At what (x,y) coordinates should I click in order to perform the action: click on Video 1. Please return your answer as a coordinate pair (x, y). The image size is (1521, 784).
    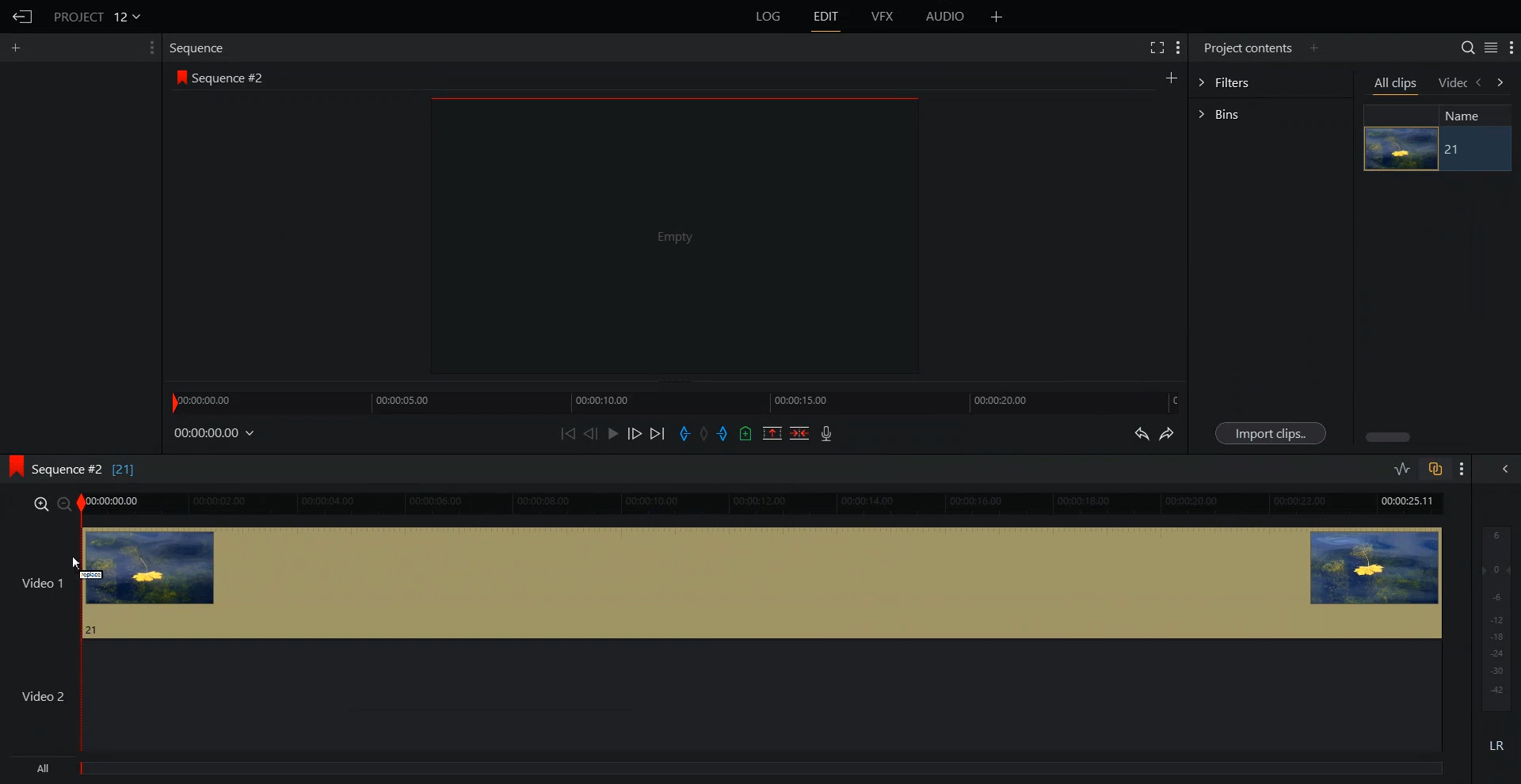
    Looking at the image, I should click on (40, 584).